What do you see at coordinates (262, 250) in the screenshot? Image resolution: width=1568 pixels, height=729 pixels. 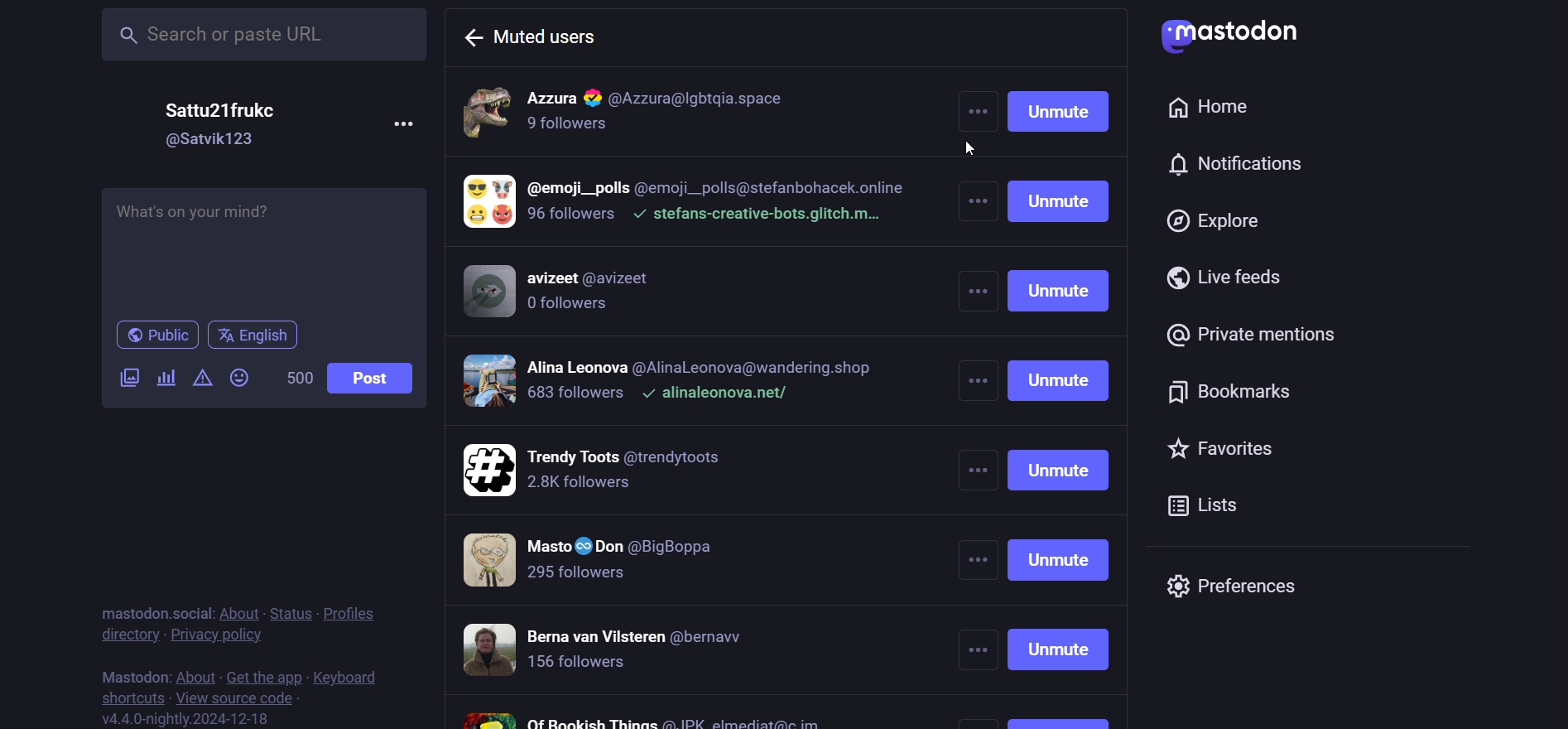 I see `post here` at bounding box center [262, 250].